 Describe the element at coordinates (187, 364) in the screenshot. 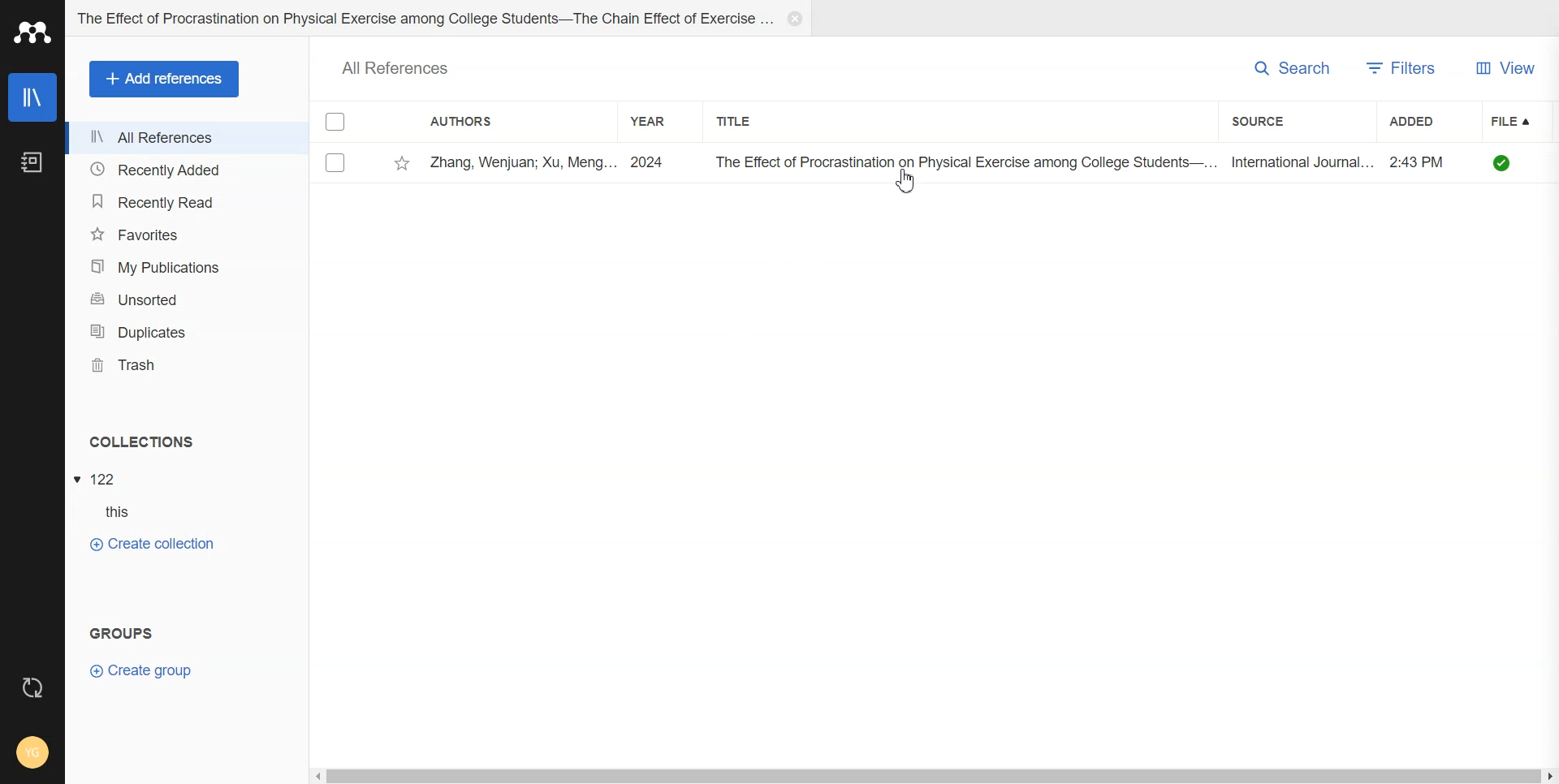

I see `Trash` at that location.